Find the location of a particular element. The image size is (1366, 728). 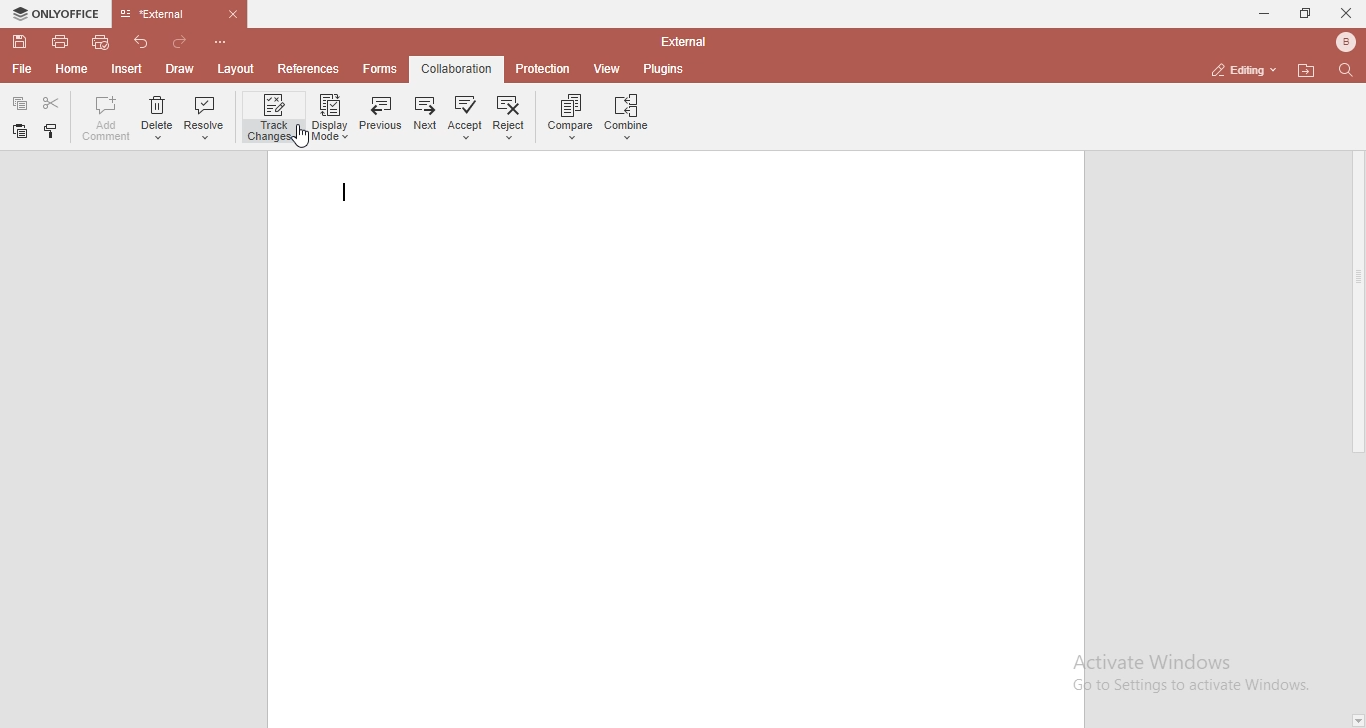

restore is located at coordinates (1307, 12).